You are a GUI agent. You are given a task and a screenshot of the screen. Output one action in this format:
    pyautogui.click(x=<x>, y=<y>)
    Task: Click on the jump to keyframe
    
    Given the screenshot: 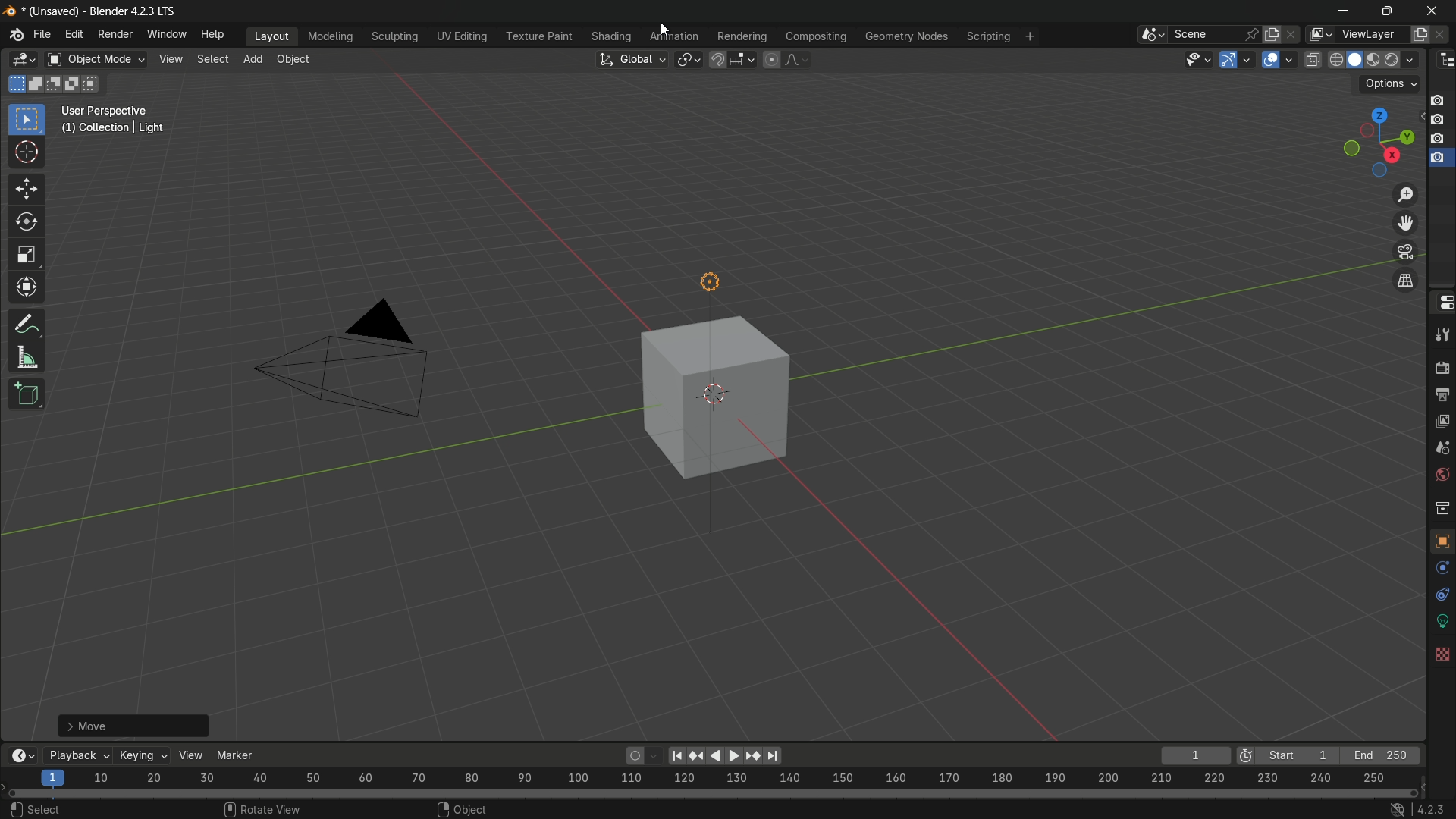 What is the action you would take?
    pyautogui.click(x=698, y=755)
    